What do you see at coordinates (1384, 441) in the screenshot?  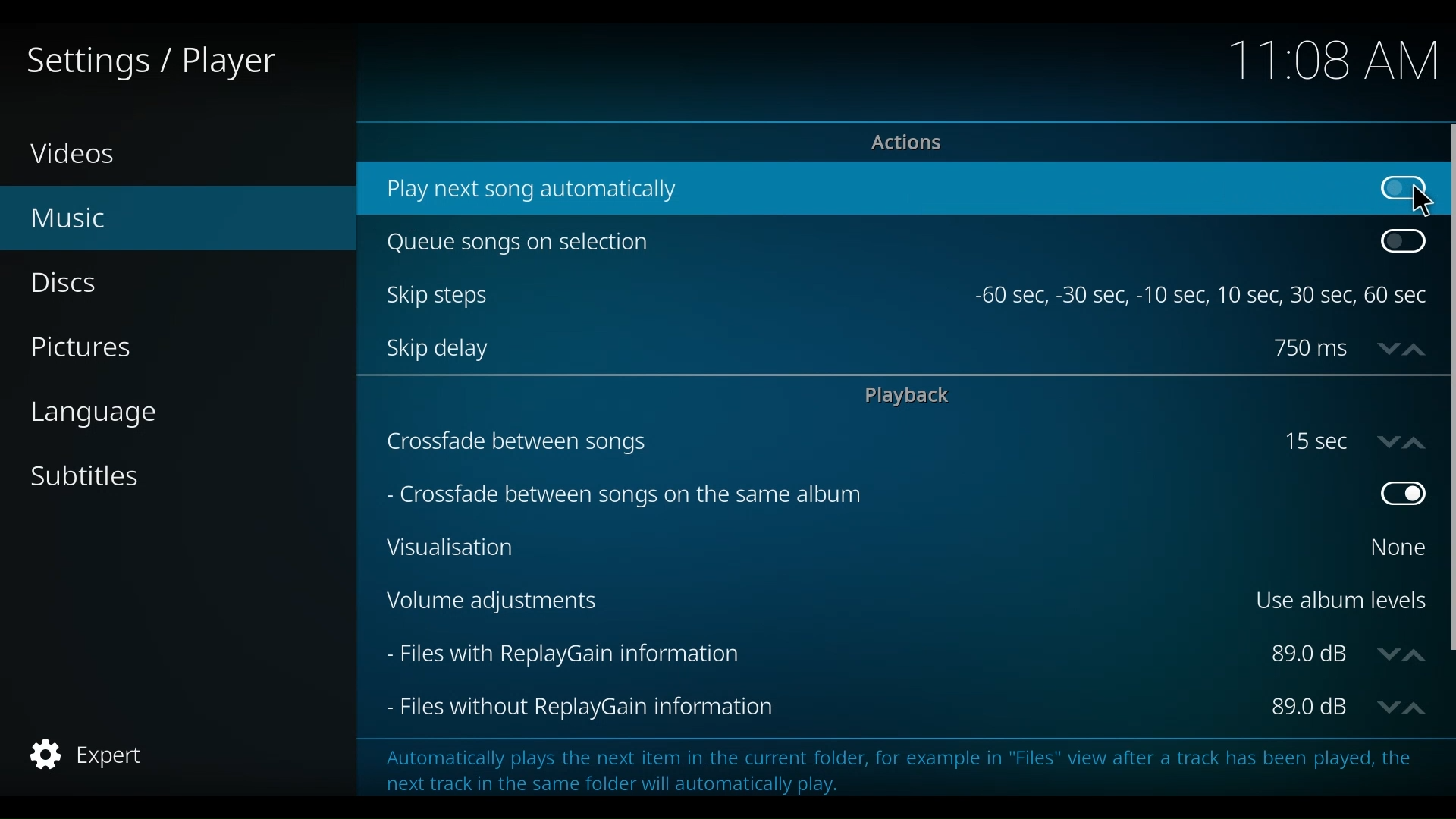 I see `down` at bounding box center [1384, 441].